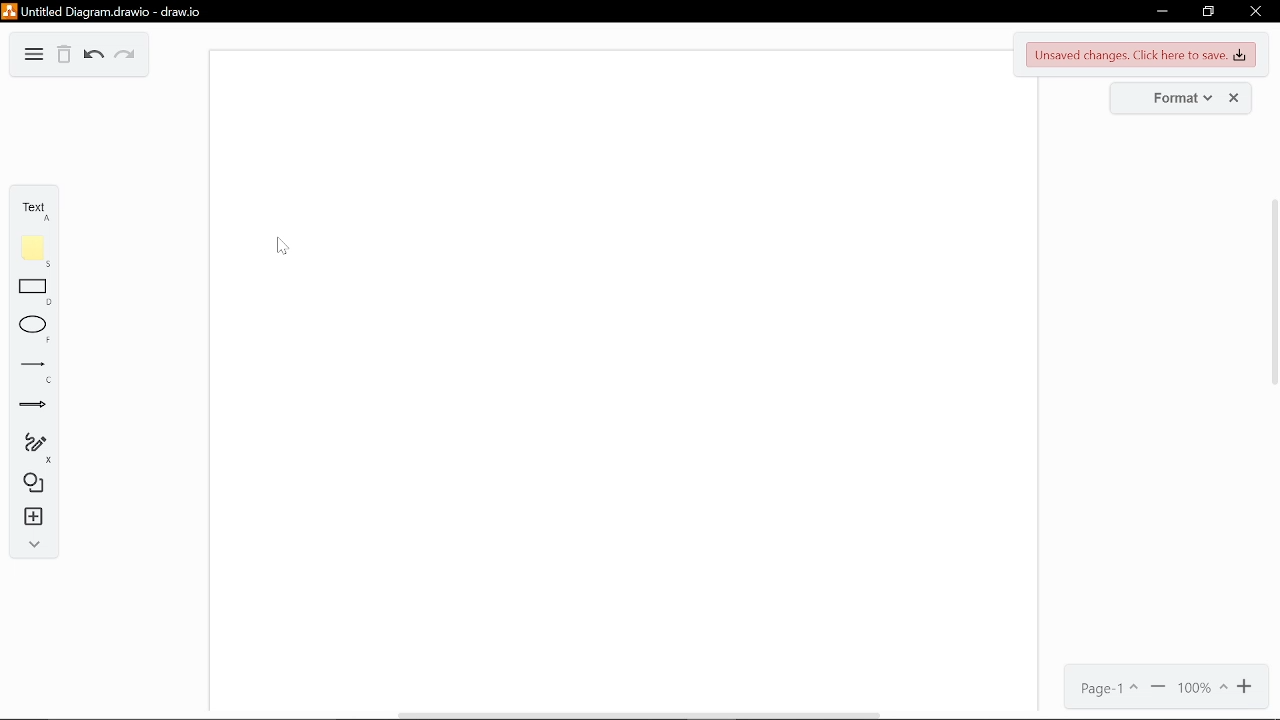  What do you see at coordinates (1103, 688) in the screenshot?
I see `page 1` at bounding box center [1103, 688].